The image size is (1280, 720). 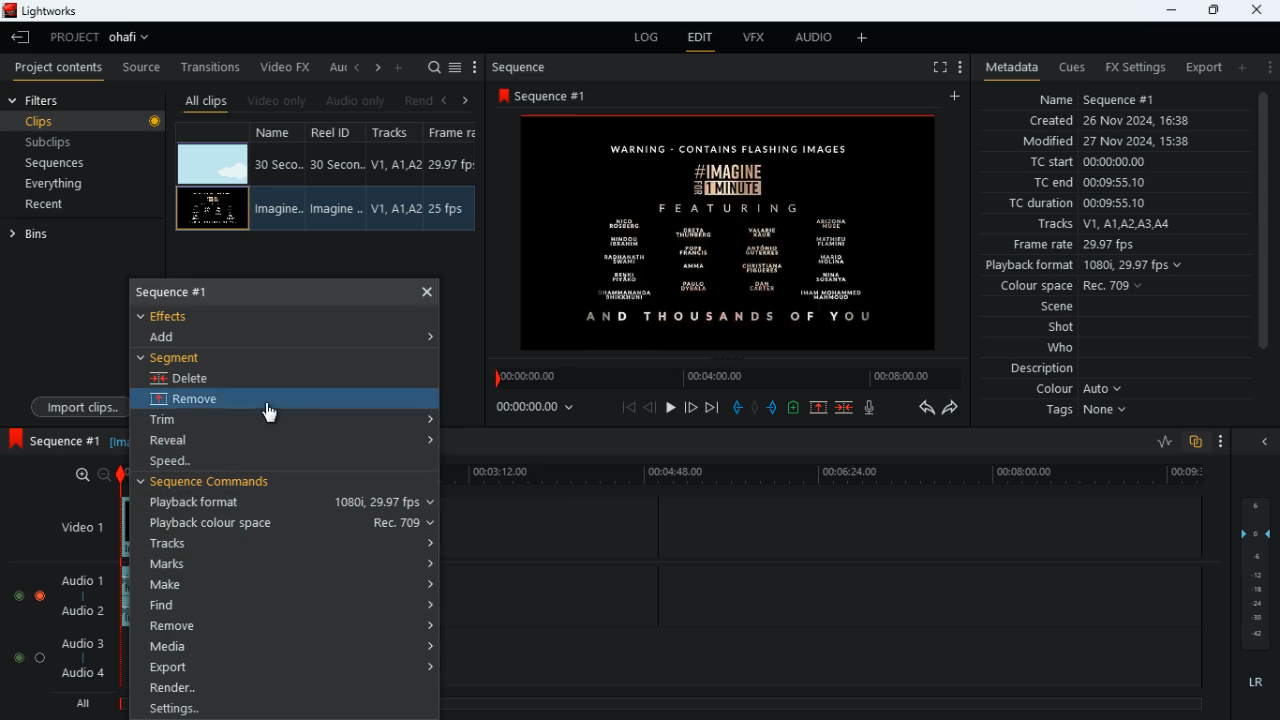 I want to click on cursor, so click(x=270, y=413).